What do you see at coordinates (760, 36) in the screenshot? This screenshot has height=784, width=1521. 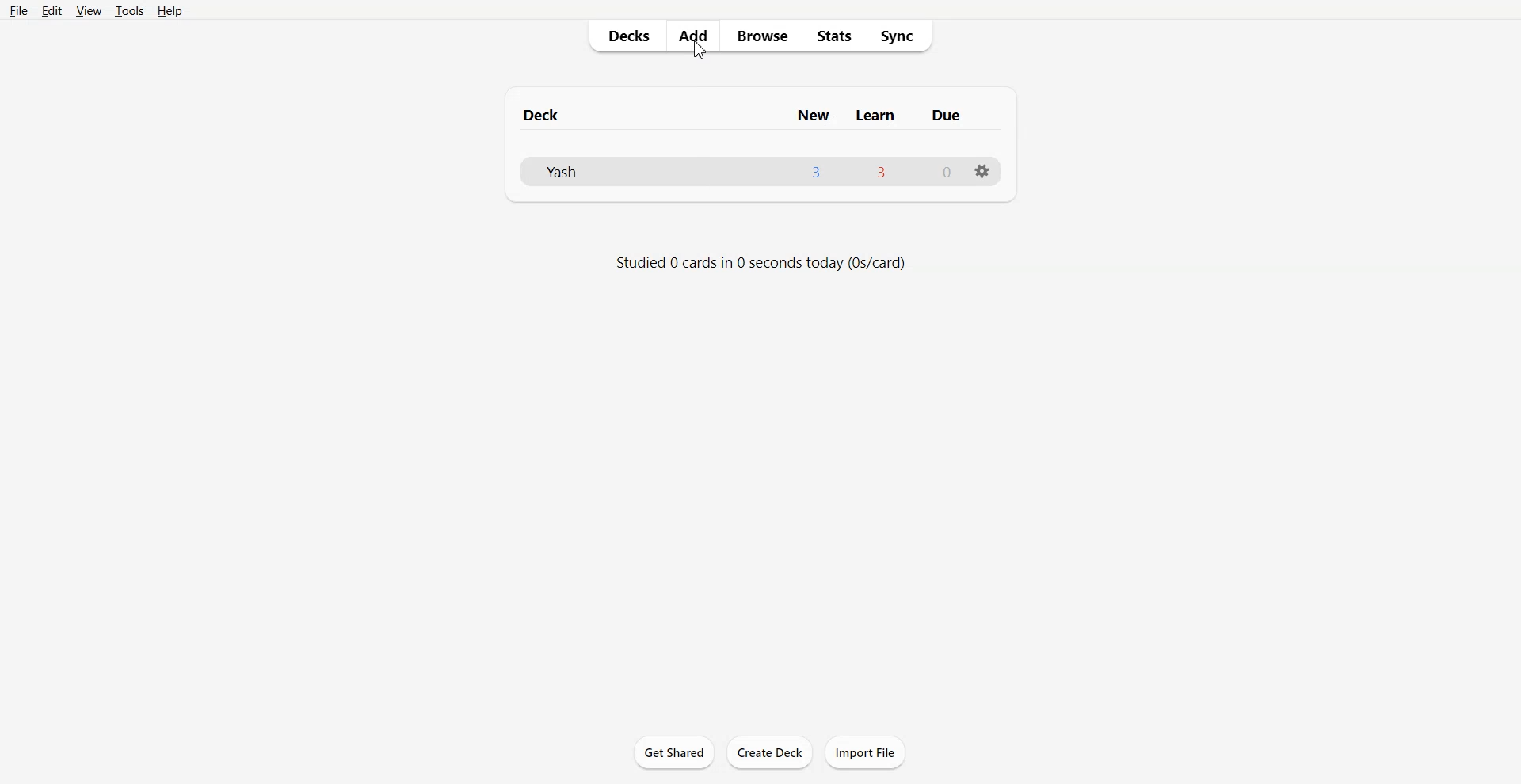 I see `Browse` at bounding box center [760, 36].